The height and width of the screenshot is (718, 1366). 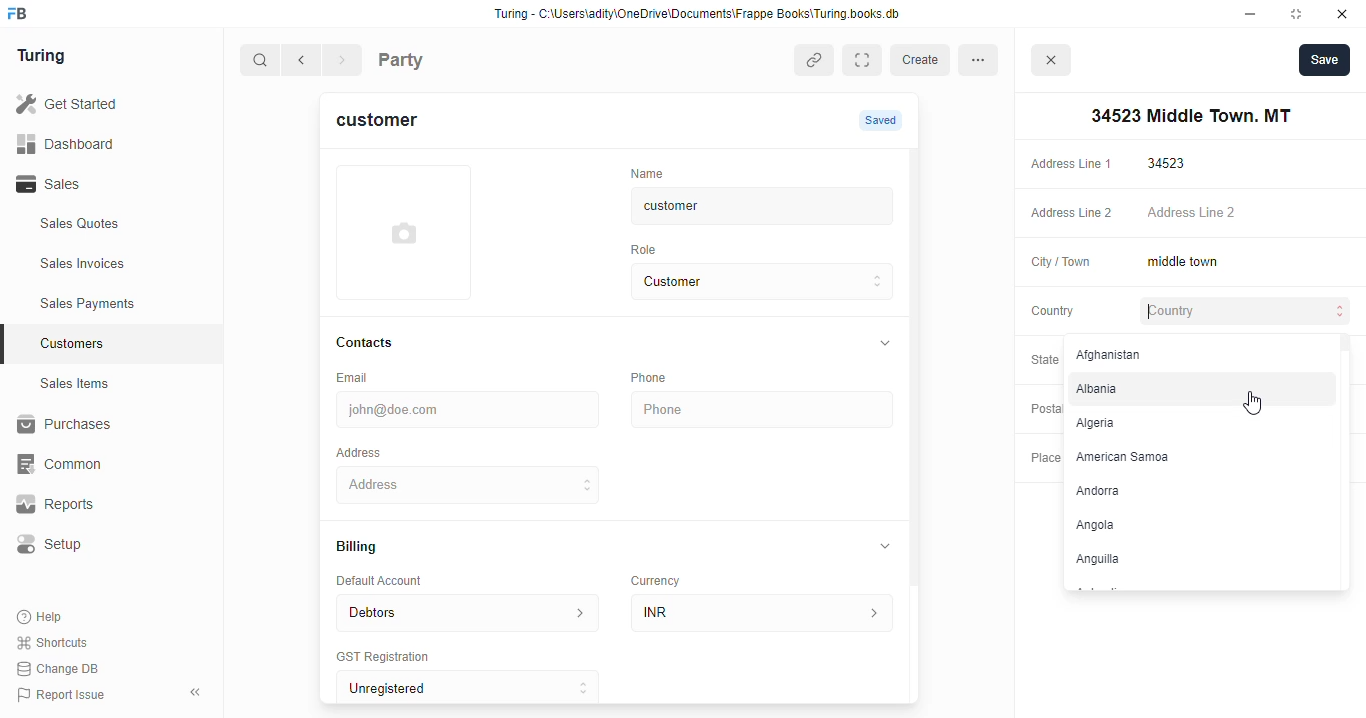 What do you see at coordinates (923, 60) in the screenshot?
I see `create` at bounding box center [923, 60].